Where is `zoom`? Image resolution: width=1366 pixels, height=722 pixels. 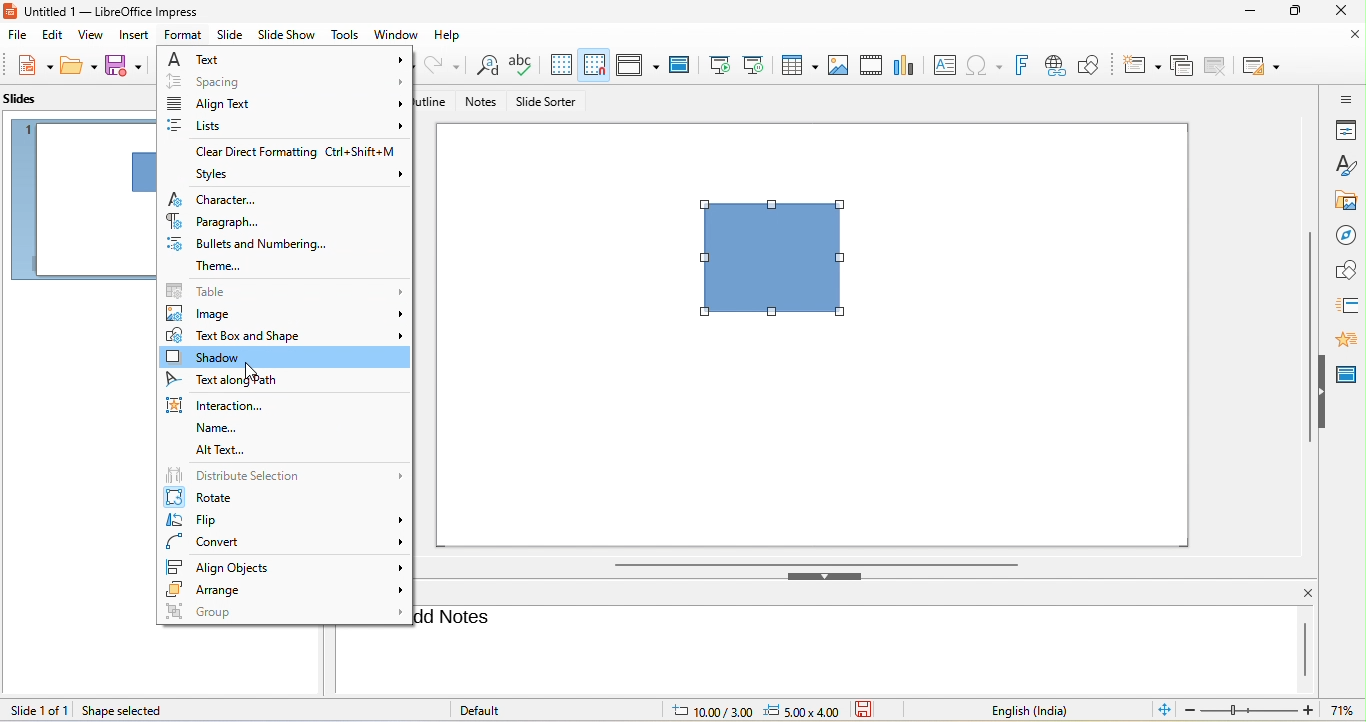
zoom is located at coordinates (1273, 710).